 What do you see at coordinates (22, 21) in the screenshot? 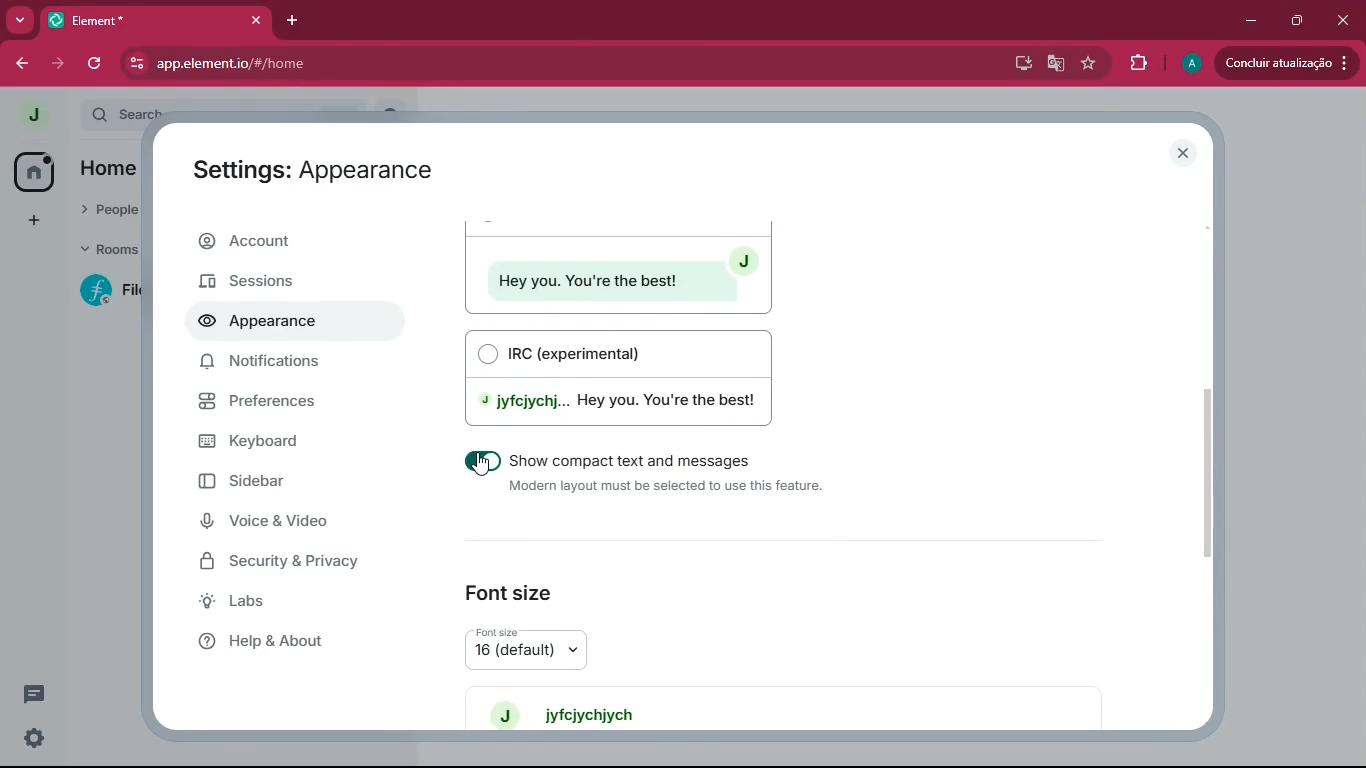
I see `more` at bounding box center [22, 21].